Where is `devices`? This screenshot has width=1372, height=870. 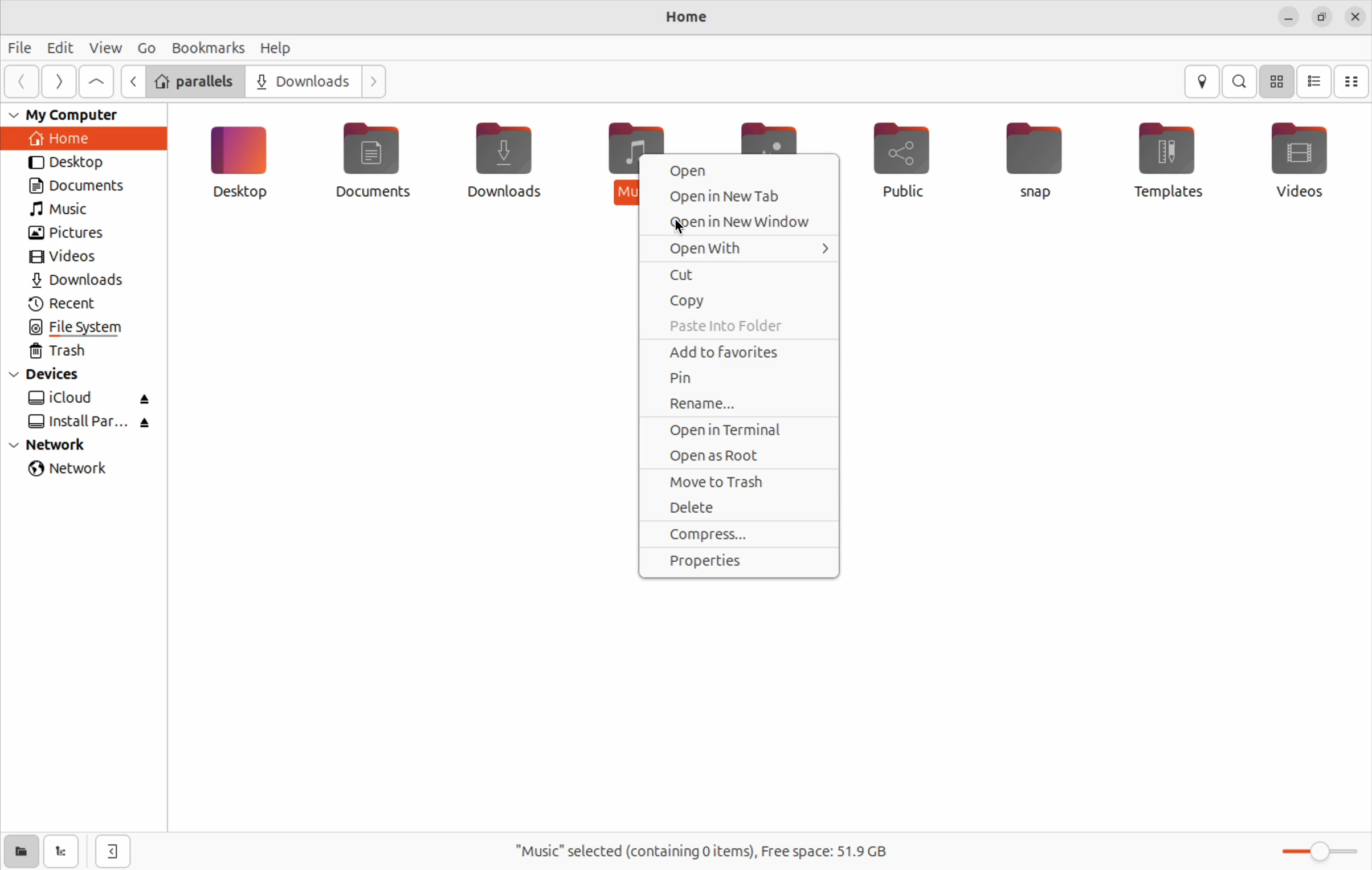
devices is located at coordinates (54, 375).